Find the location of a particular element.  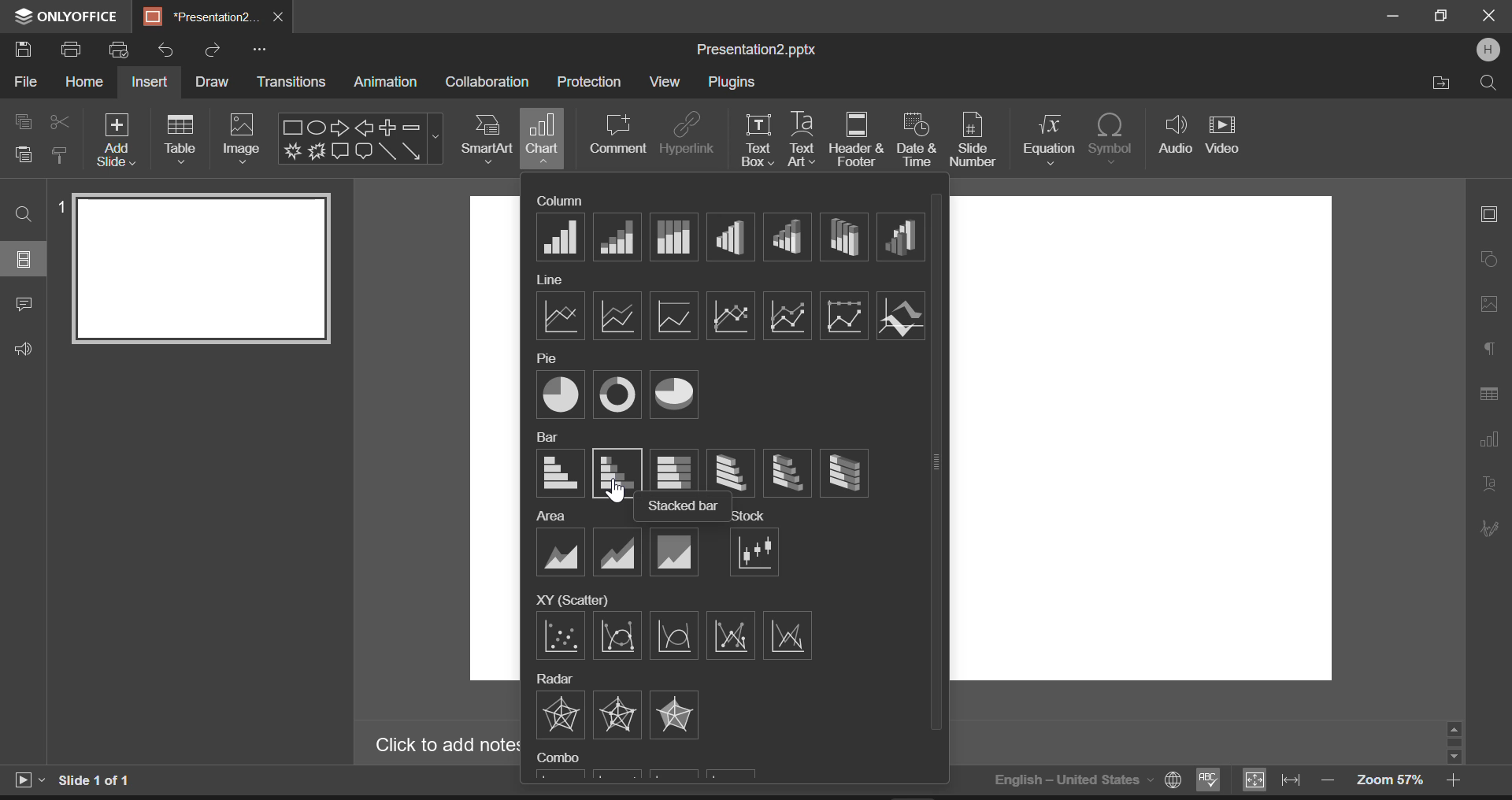

3-D 100% Stacked Bar is located at coordinates (842, 473).